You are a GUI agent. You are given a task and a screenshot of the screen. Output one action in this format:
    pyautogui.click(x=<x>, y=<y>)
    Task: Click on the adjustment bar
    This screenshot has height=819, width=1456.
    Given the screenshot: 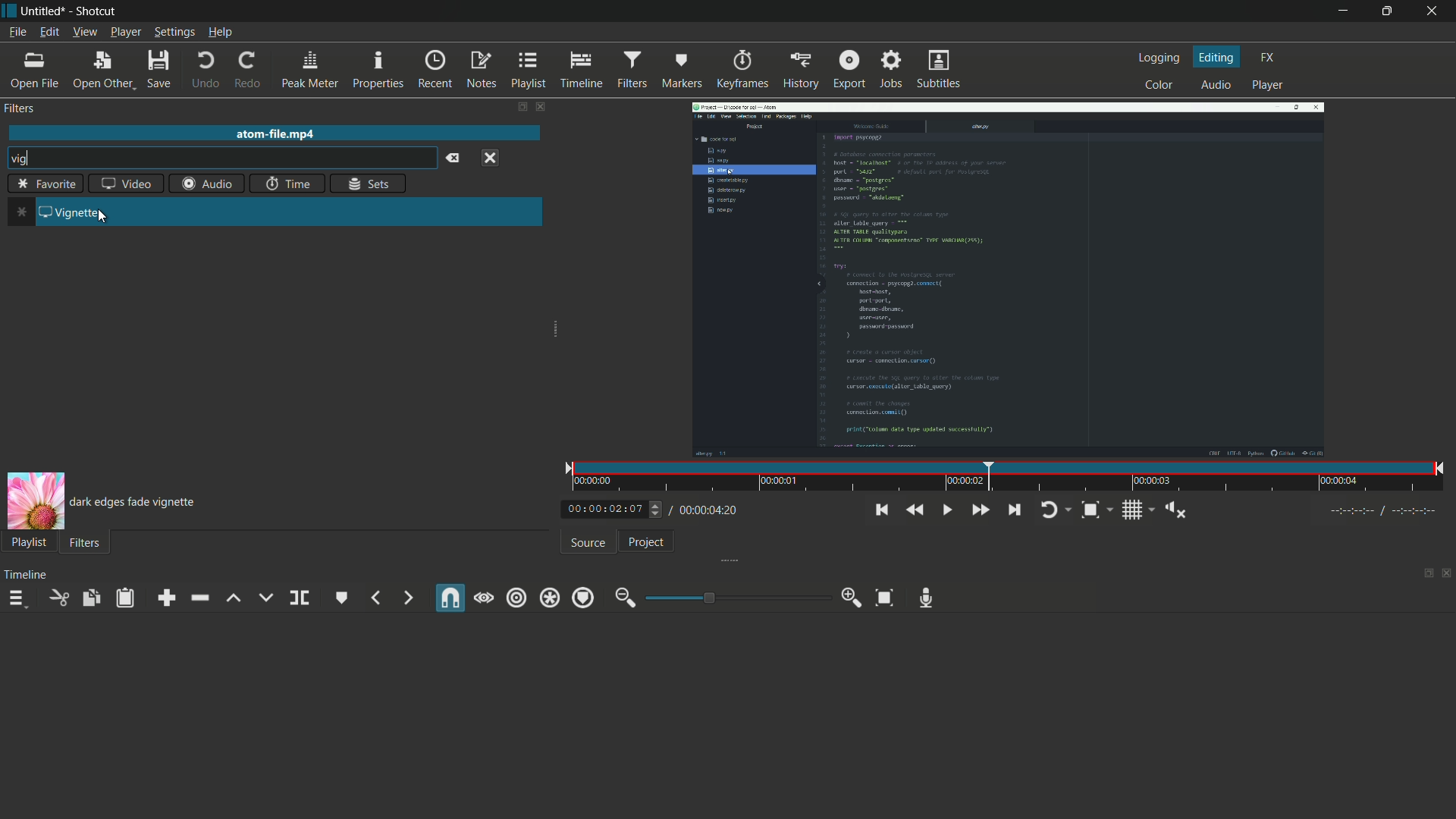 What is the action you would take?
    pyautogui.click(x=735, y=597)
    